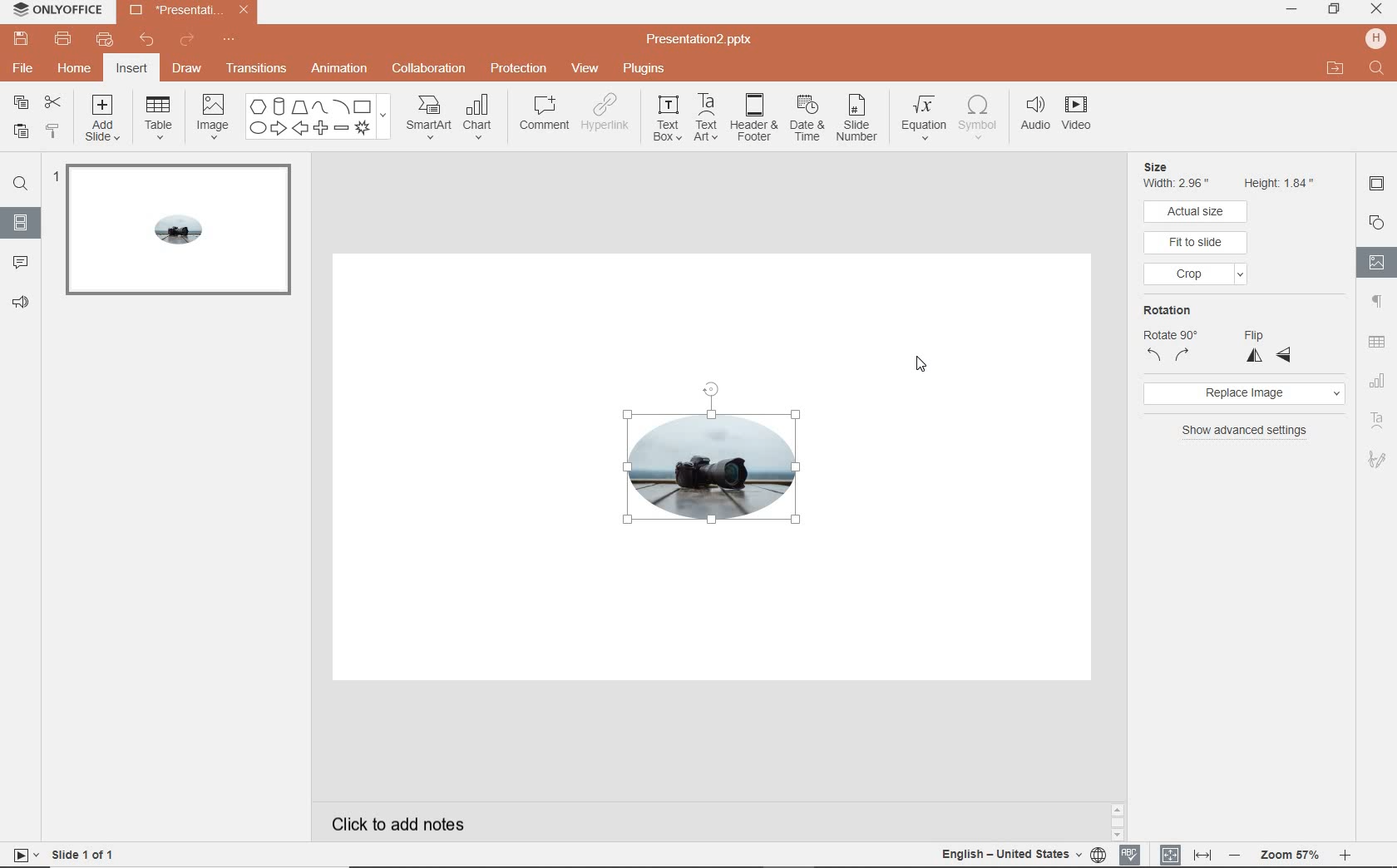 This screenshot has height=868, width=1397. What do you see at coordinates (809, 118) in the screenshot?
I see `date & time` at bounding box center [809, 118].